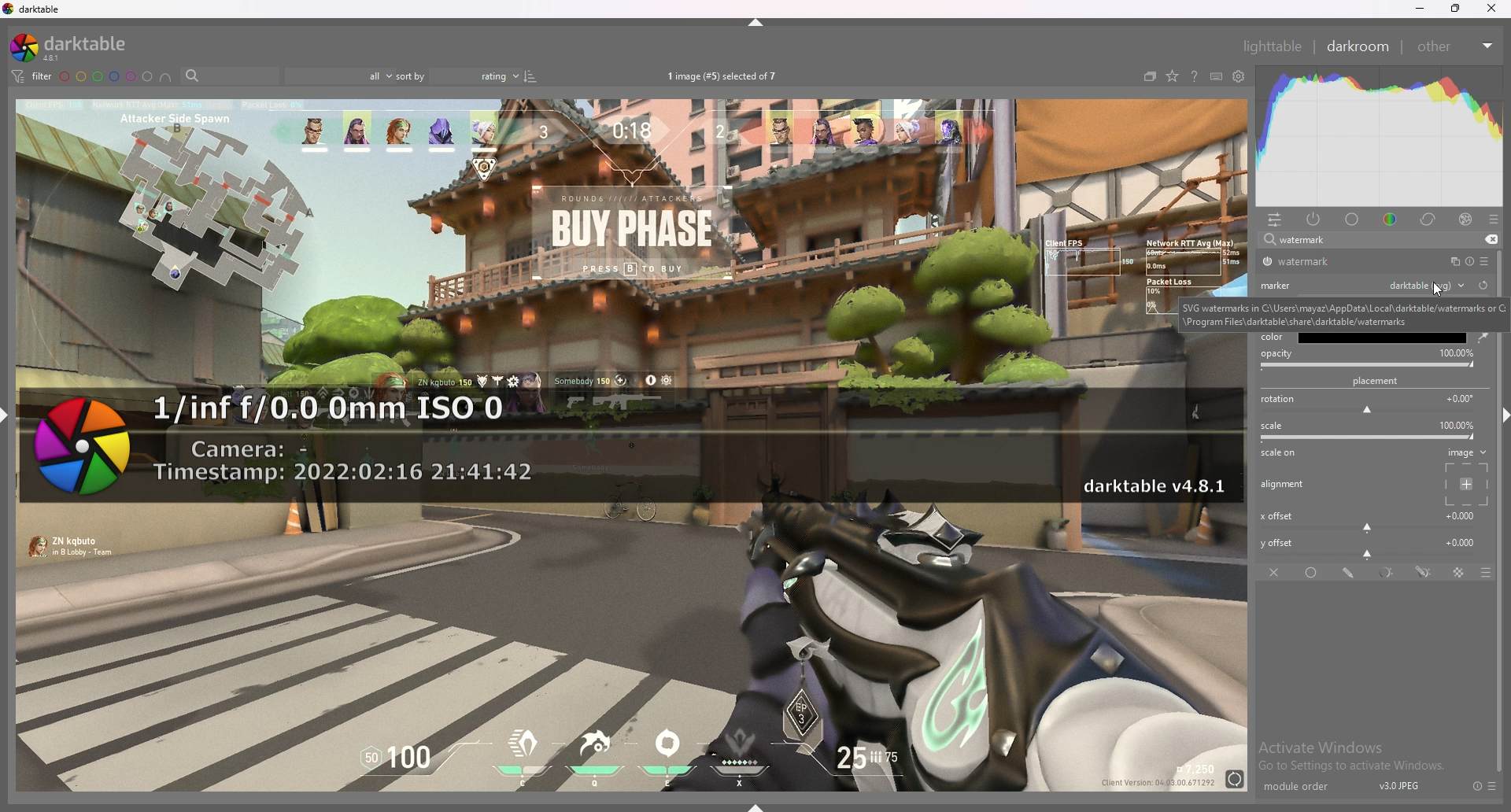 This screenshot has height=812, width=1511. What do you see at coordinates (1274, 336) in the screenshot?
I see `color` at bounding box center [1274, 336].